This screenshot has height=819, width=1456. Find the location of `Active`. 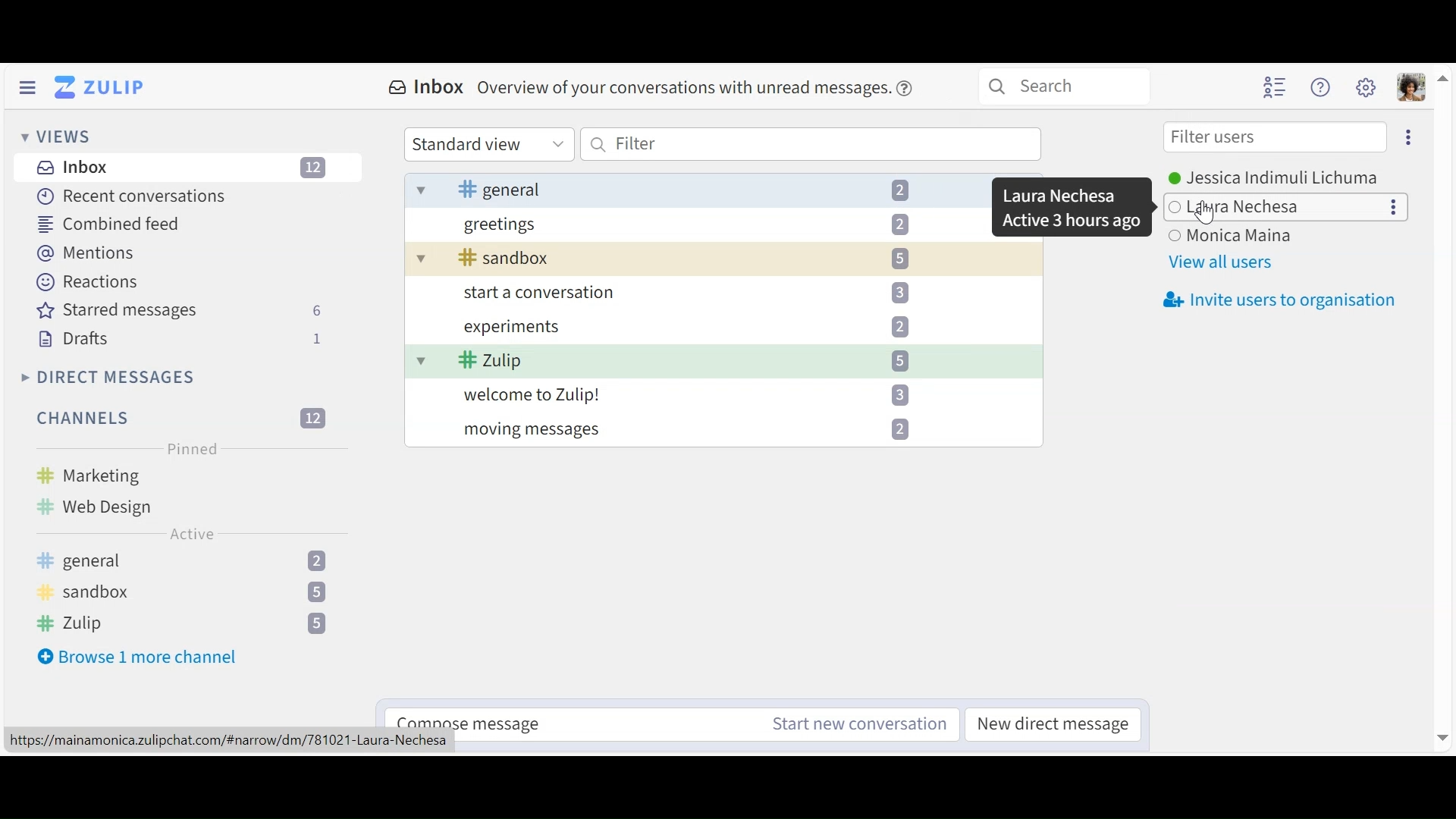

Active is located at coordinates (190, 536).